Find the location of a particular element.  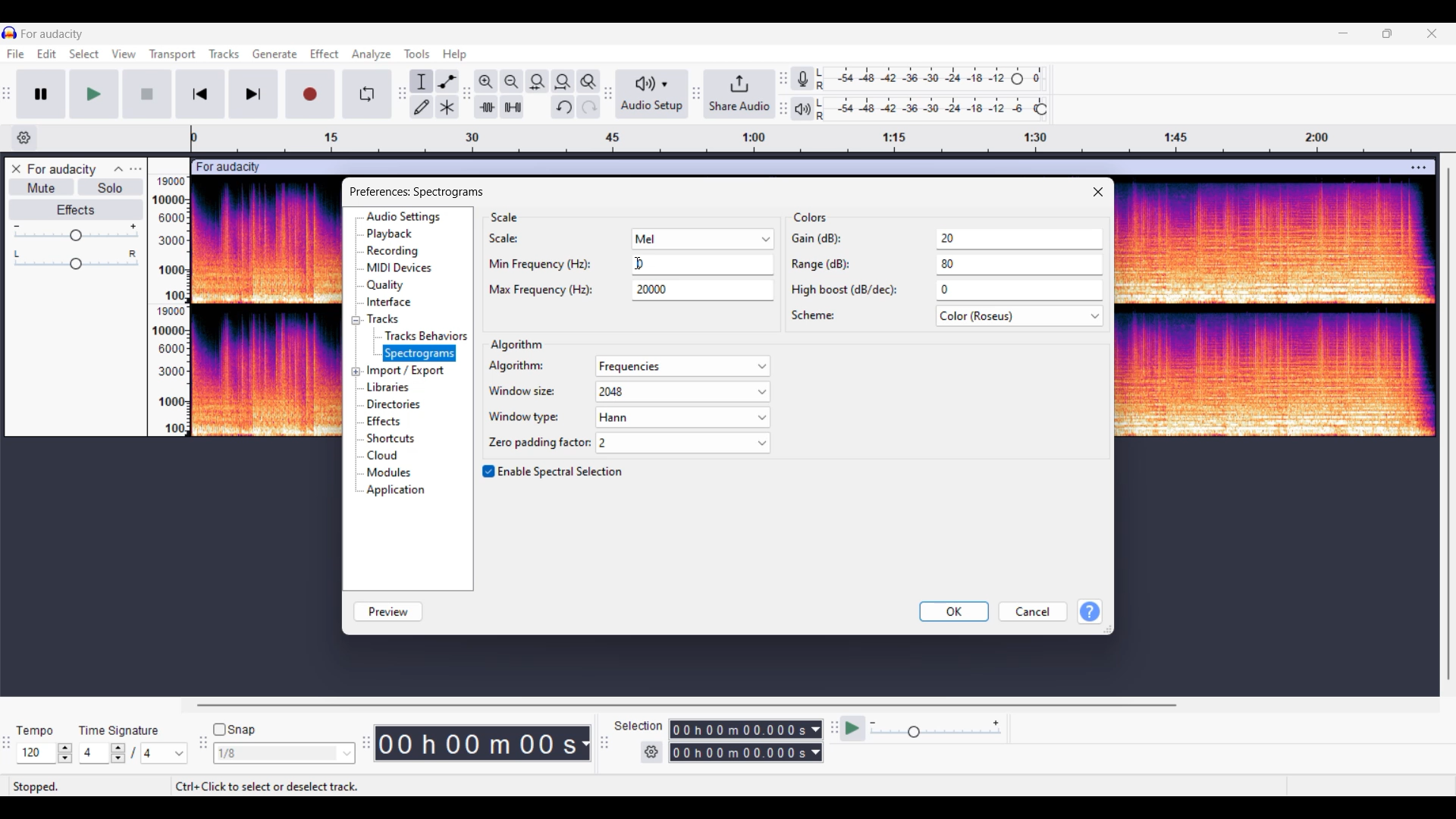

Volume slider is located at coordinates (75, 233).